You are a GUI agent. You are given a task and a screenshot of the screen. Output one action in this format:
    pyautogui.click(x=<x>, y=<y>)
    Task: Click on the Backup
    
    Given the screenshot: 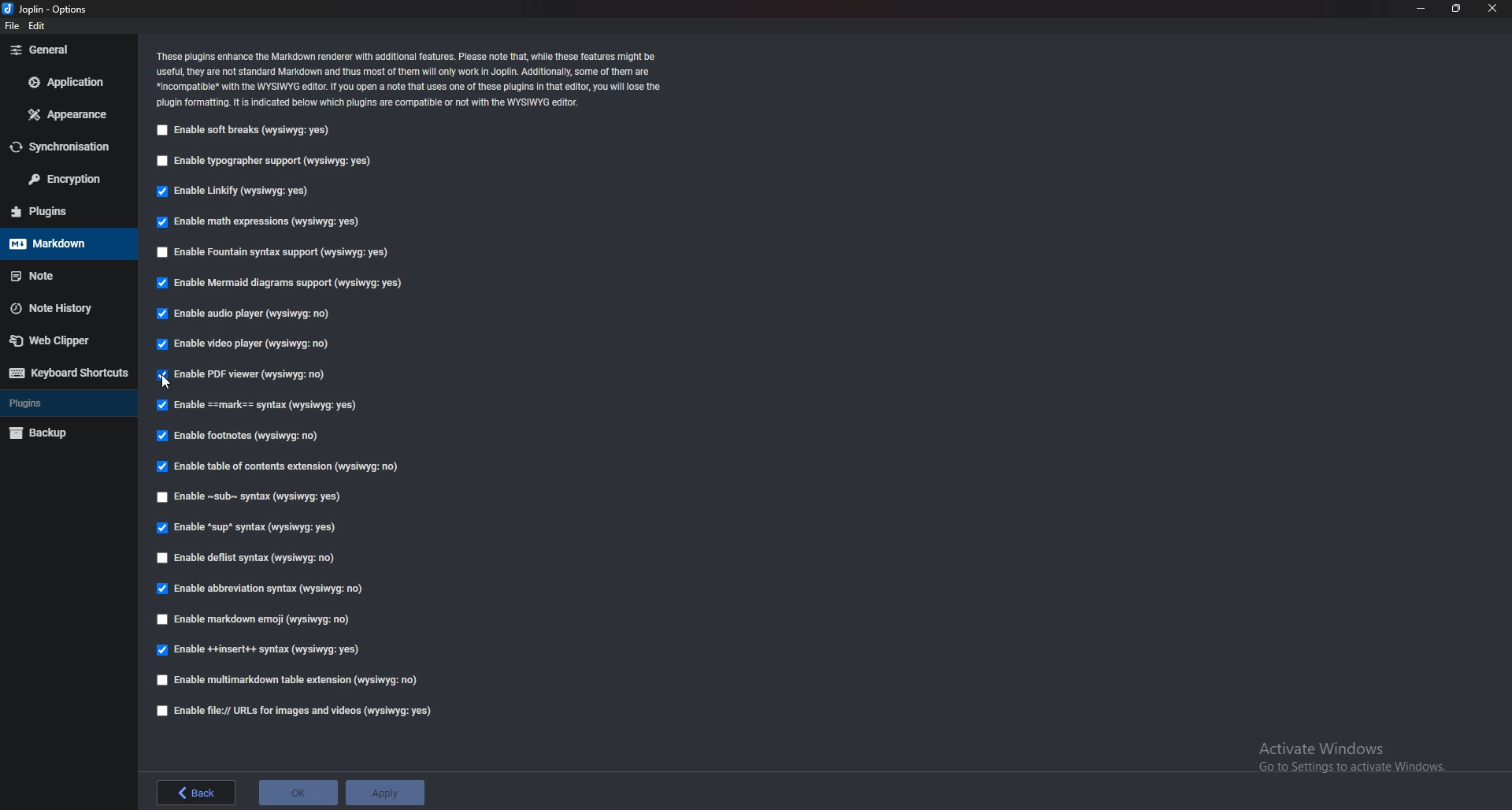 What is the action you would take?
    pyautogui.click(x=60, y=433)
    